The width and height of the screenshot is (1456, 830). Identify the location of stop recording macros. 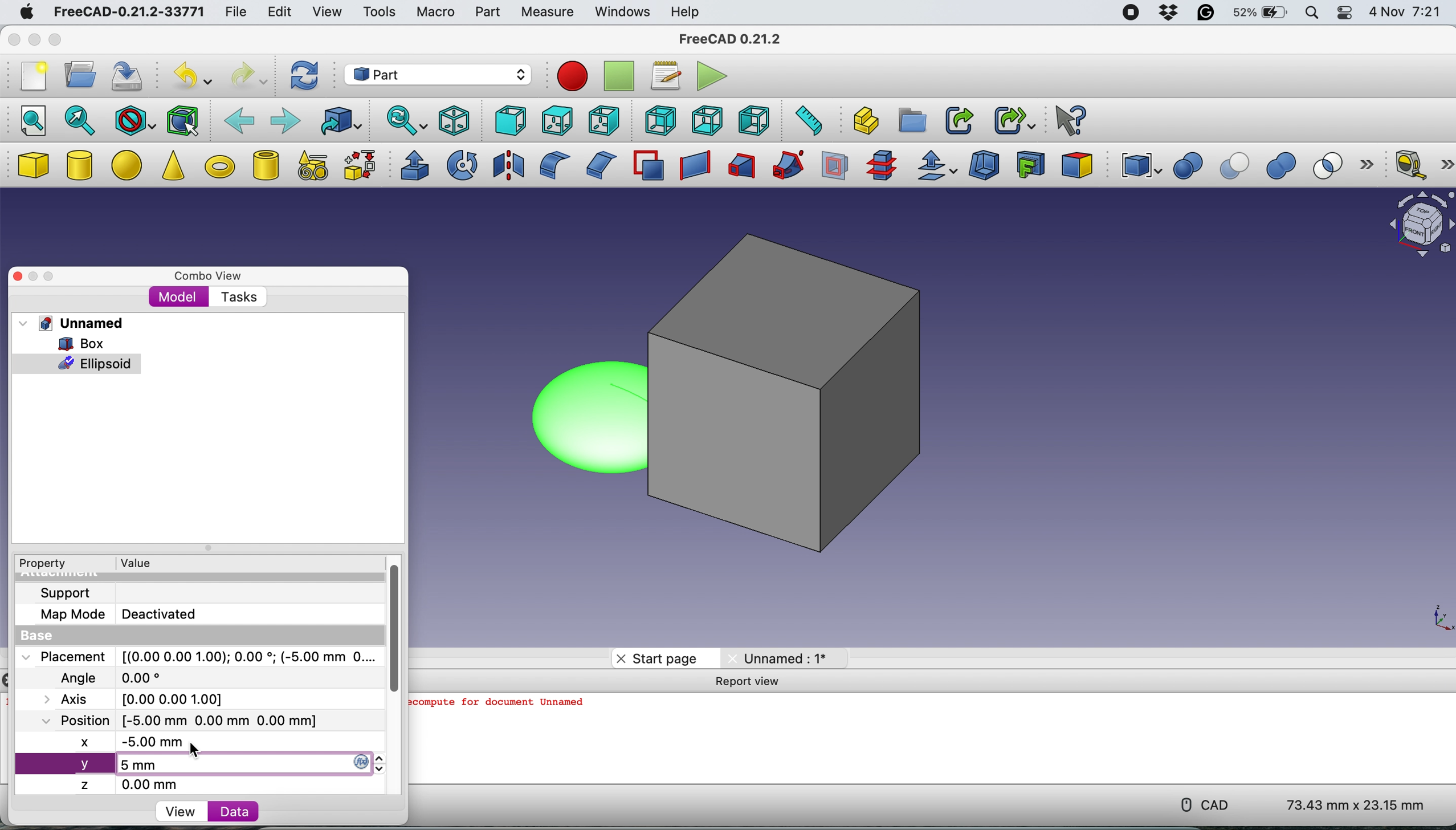
(621, 77).